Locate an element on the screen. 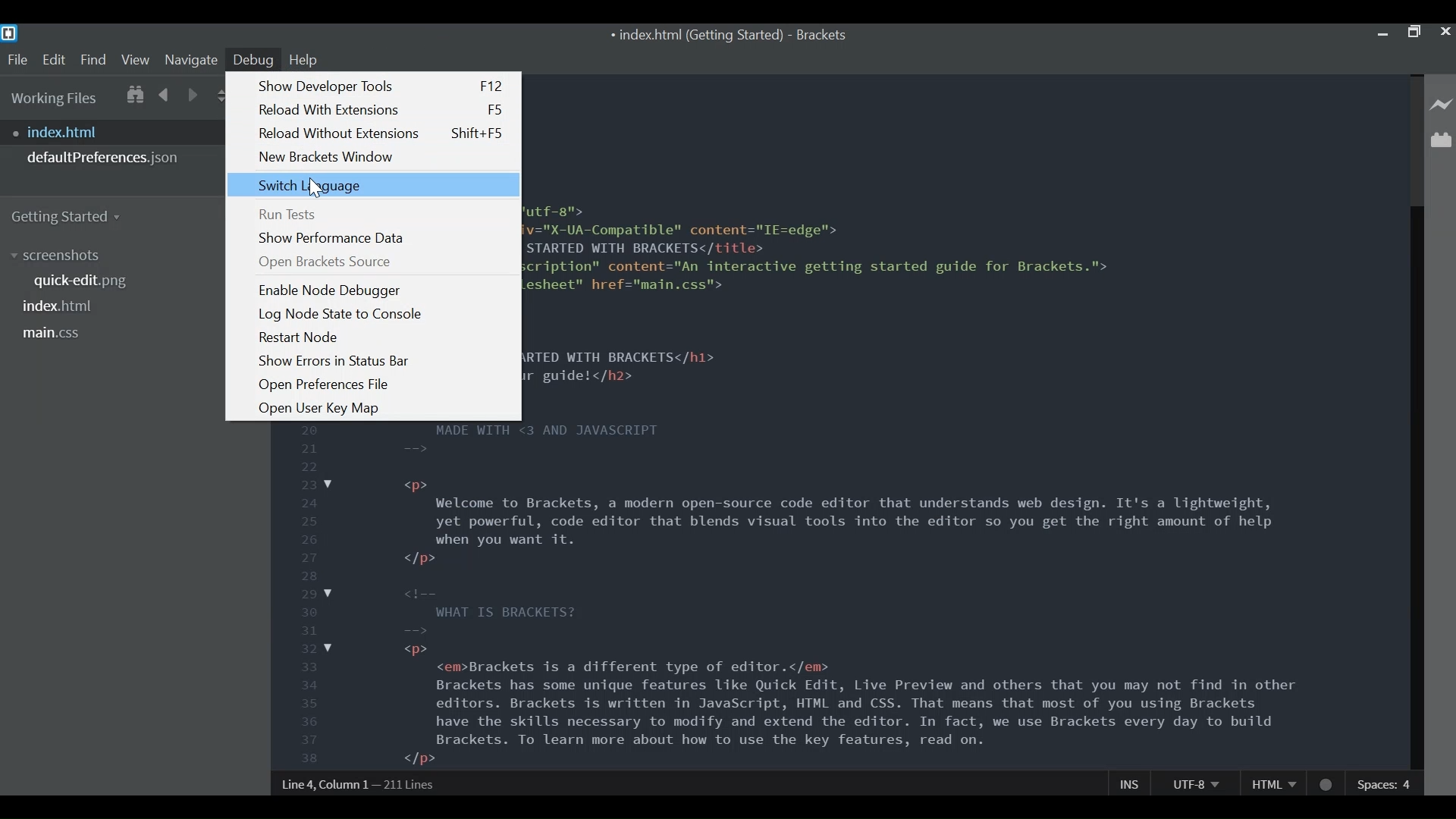 Image resolution: width=1456 pixels, height=819 pixels. defaultPreferences.json is located at coordinates (103, 158).